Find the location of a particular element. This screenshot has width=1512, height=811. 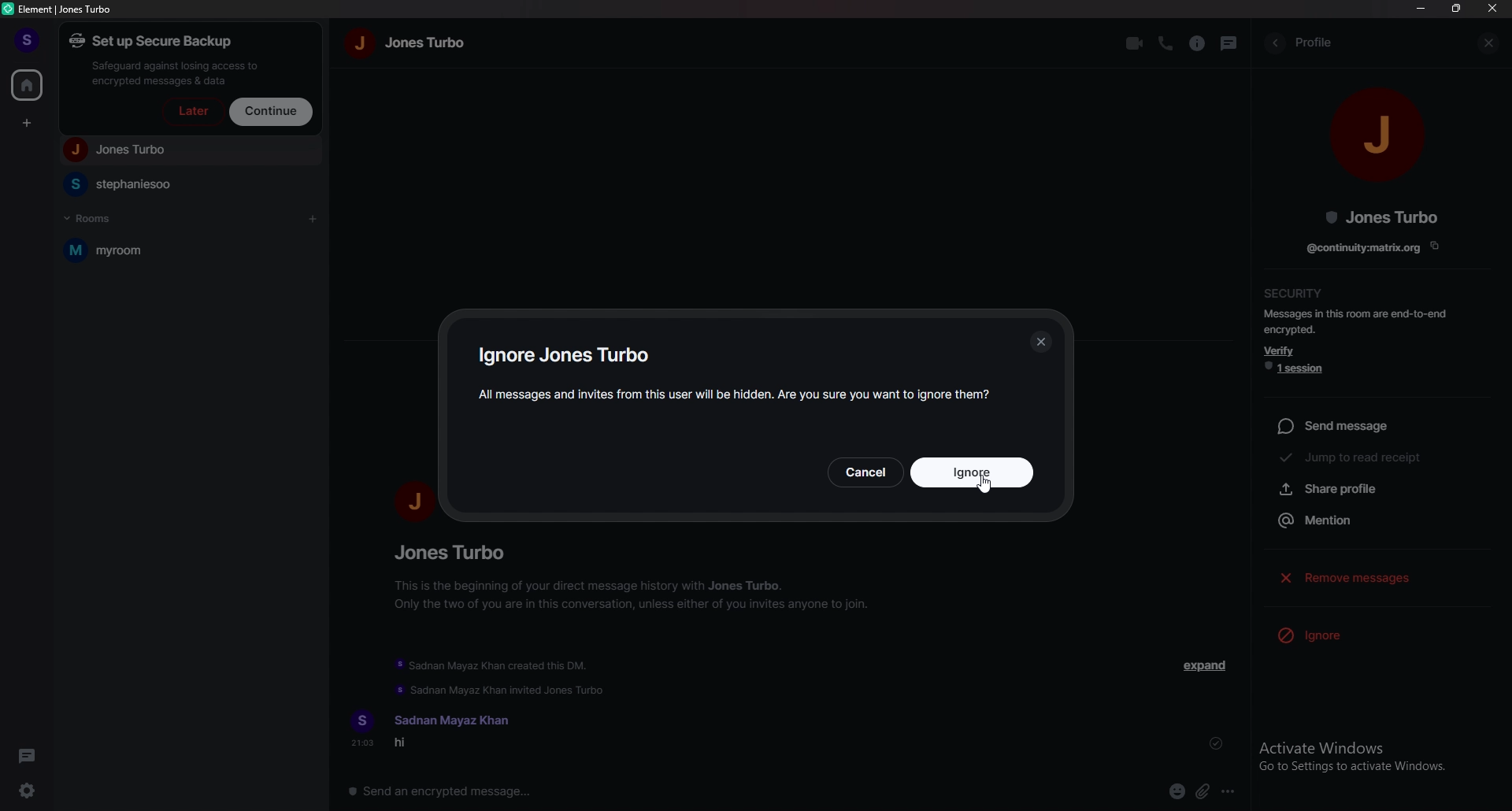

people photo is located at coordinates (1380, 131).